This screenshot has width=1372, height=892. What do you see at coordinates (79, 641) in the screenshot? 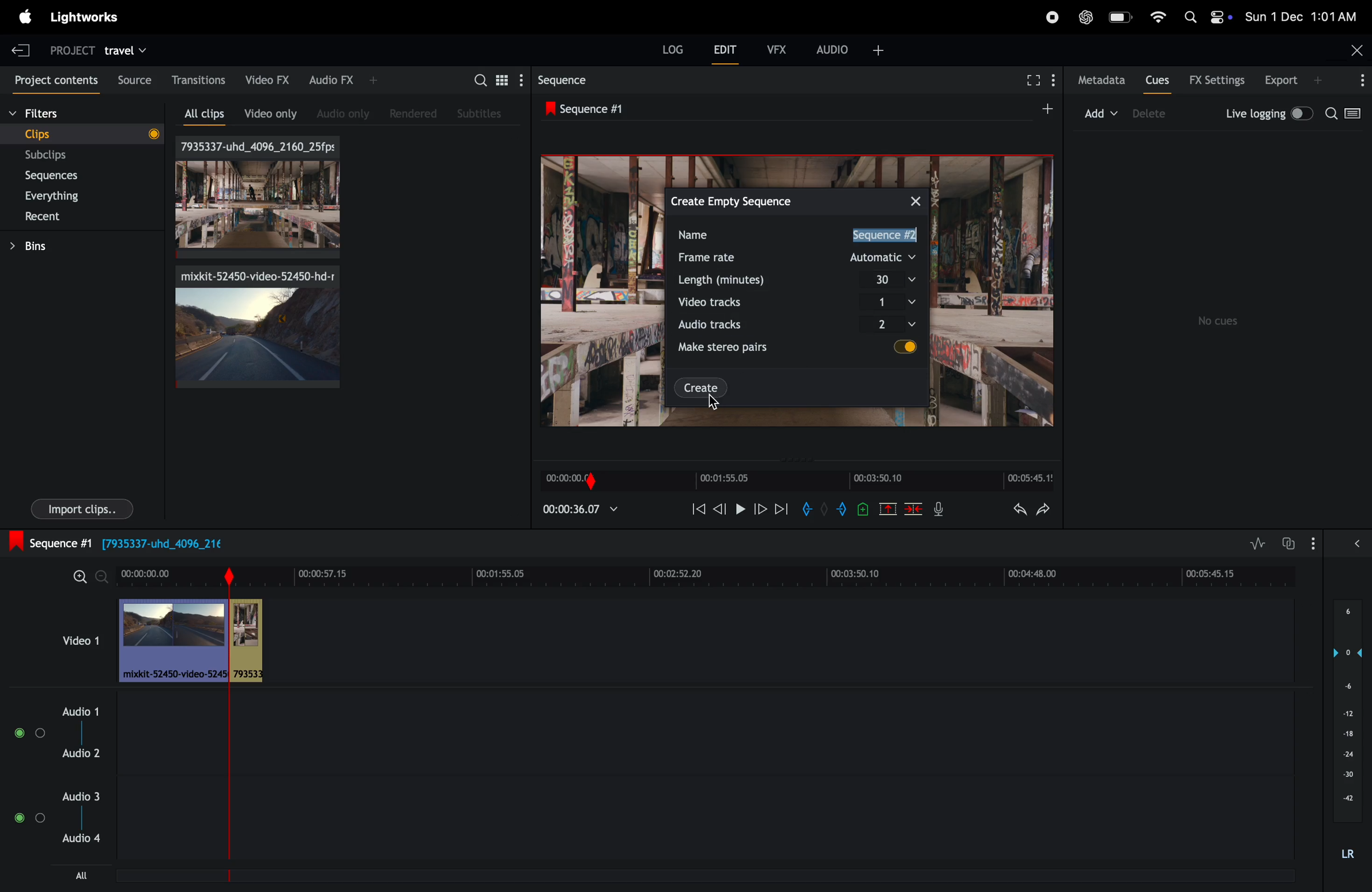
I see `video clips` at bounding box center [79, 641].